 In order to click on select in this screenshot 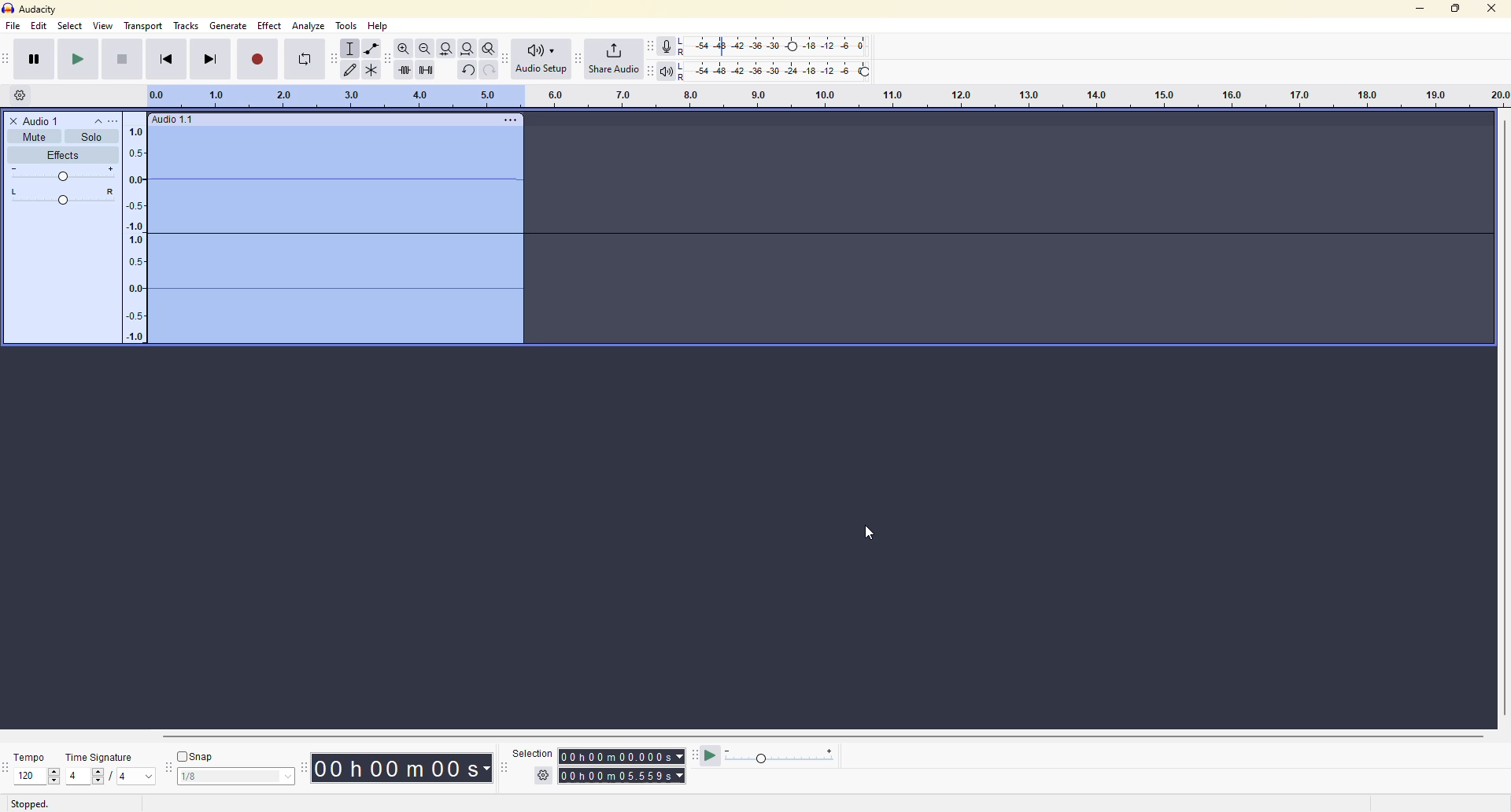, I will do `click(69, 26)`.